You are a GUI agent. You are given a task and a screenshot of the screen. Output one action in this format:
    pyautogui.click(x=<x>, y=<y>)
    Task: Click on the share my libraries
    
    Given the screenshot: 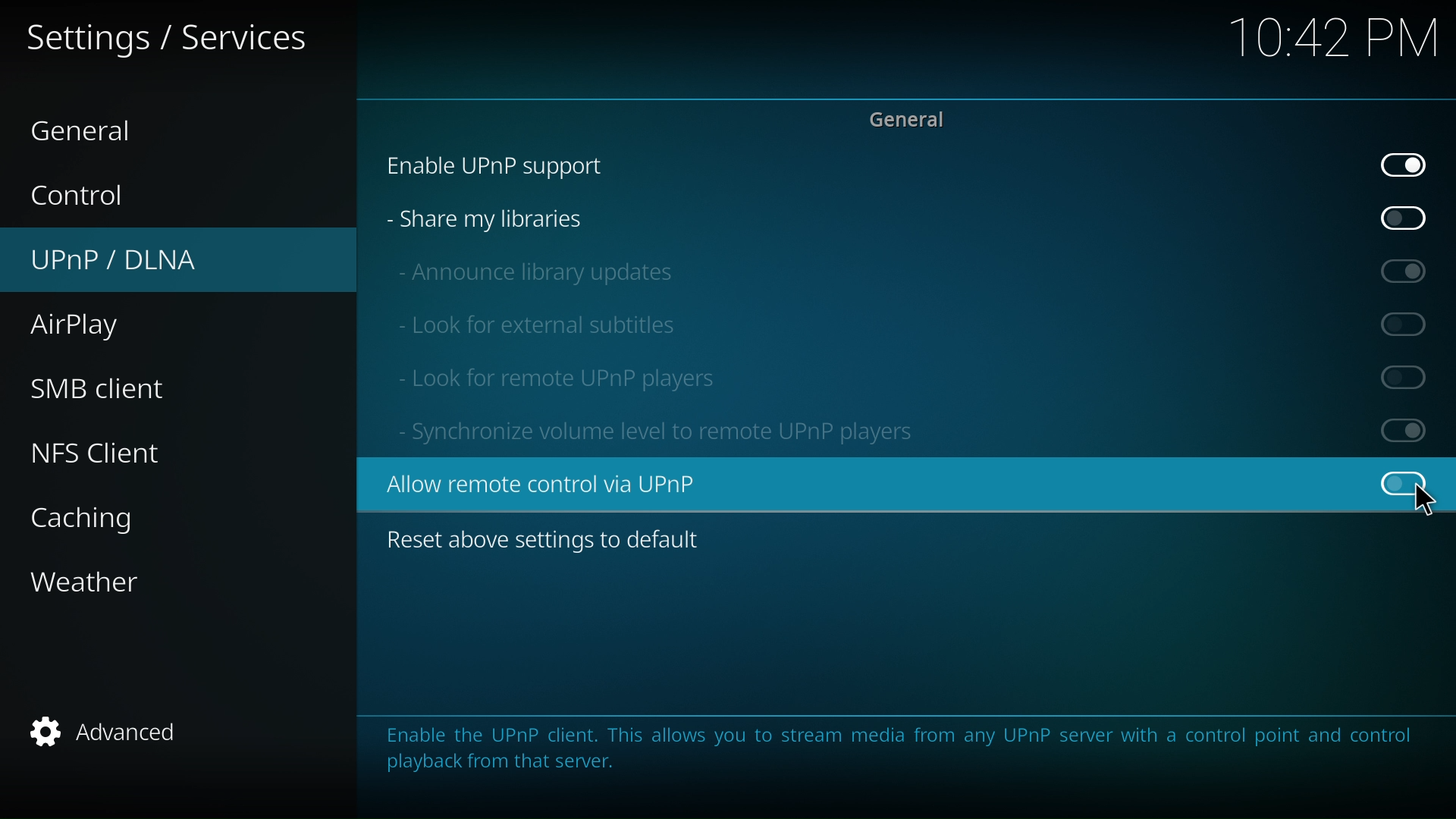 What is the action you would take?
    pyautogui.click(x=905, y=221)
    